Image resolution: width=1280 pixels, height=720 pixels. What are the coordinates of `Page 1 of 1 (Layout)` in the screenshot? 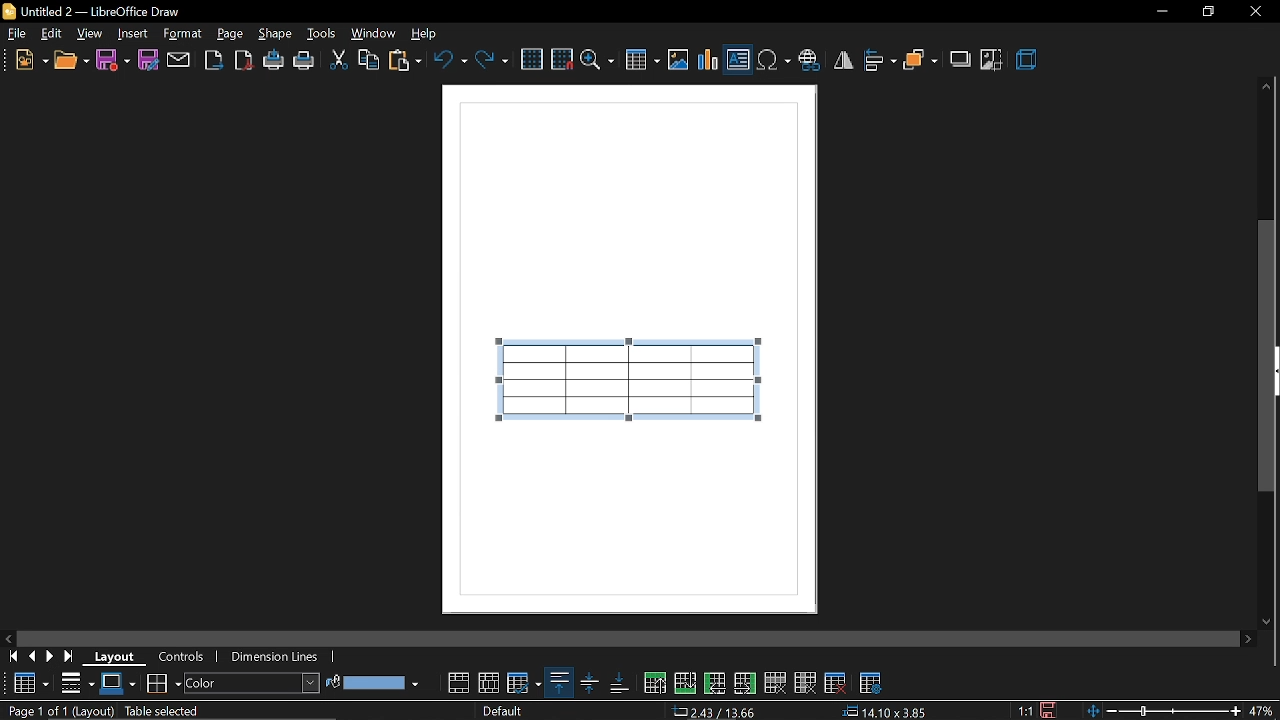 It's located at (58, 711).